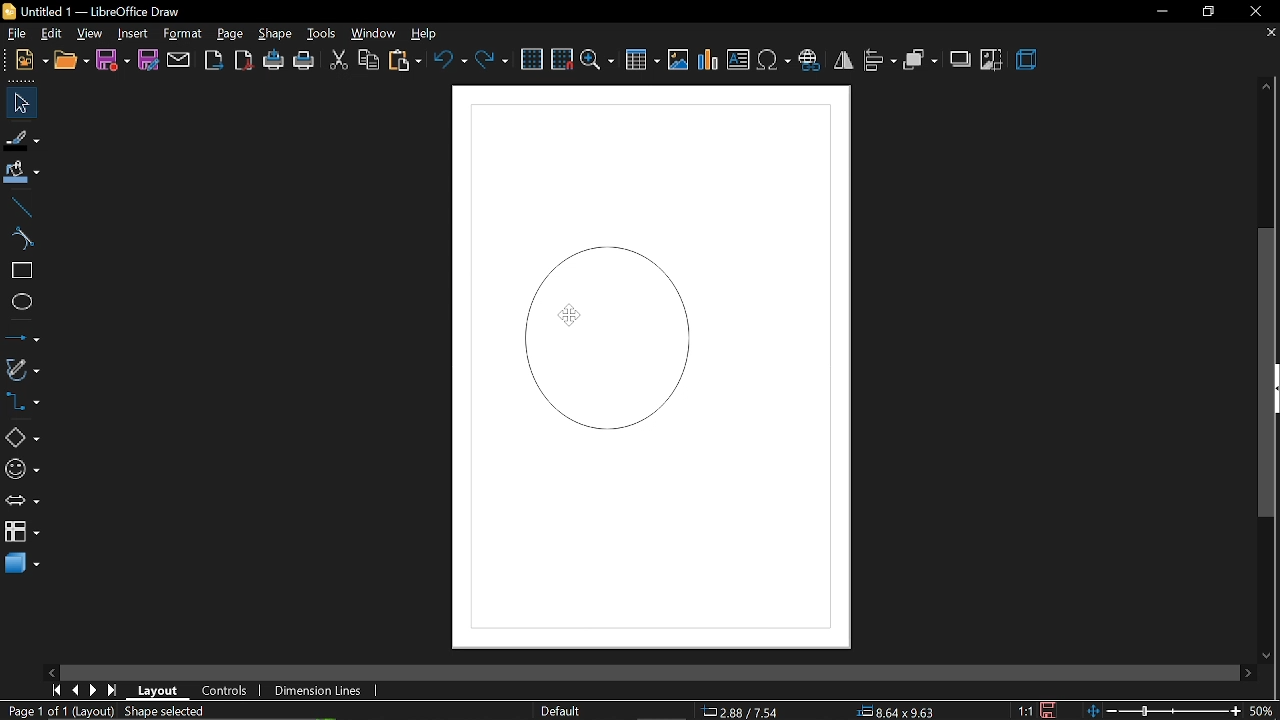 The width and height of the screenshot is (1280, 720). What do you see at coordinates (88, 34) in the screenshot?
I see `view` at bounding box center [88, 34].